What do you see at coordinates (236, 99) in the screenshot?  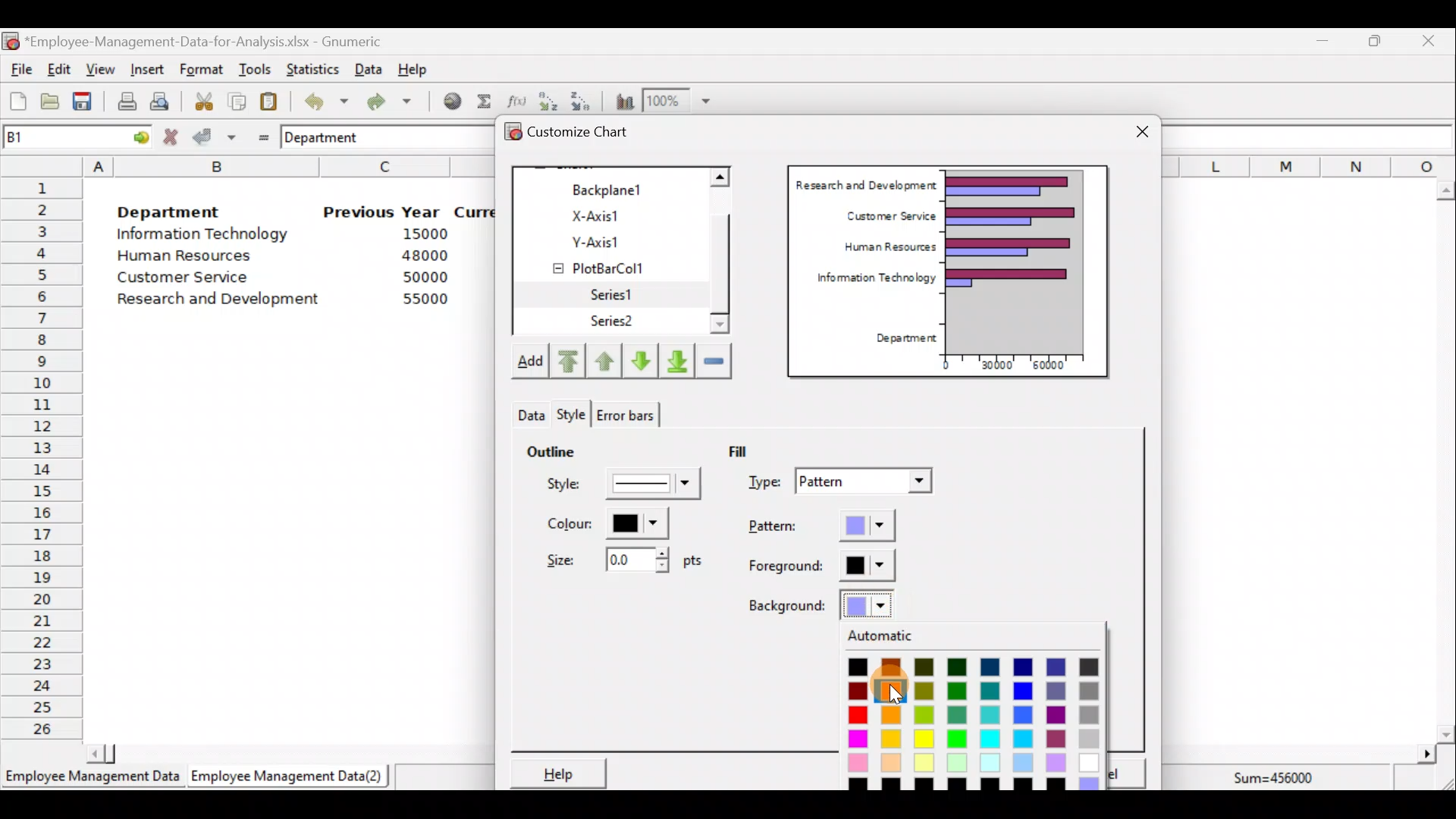 I see `Copy the selection` at bounding box center [236, 99].